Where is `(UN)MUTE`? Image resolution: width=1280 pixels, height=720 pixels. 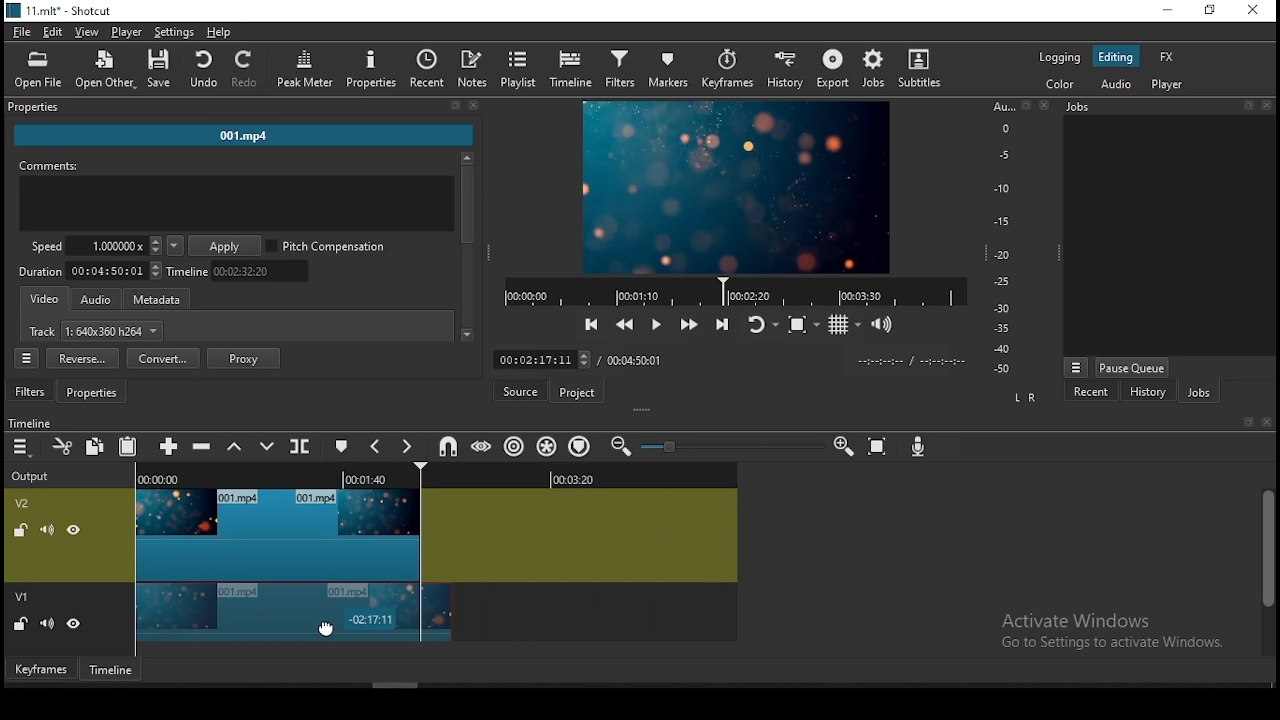
(UN)MUTE is located at coordinates (46, 528).